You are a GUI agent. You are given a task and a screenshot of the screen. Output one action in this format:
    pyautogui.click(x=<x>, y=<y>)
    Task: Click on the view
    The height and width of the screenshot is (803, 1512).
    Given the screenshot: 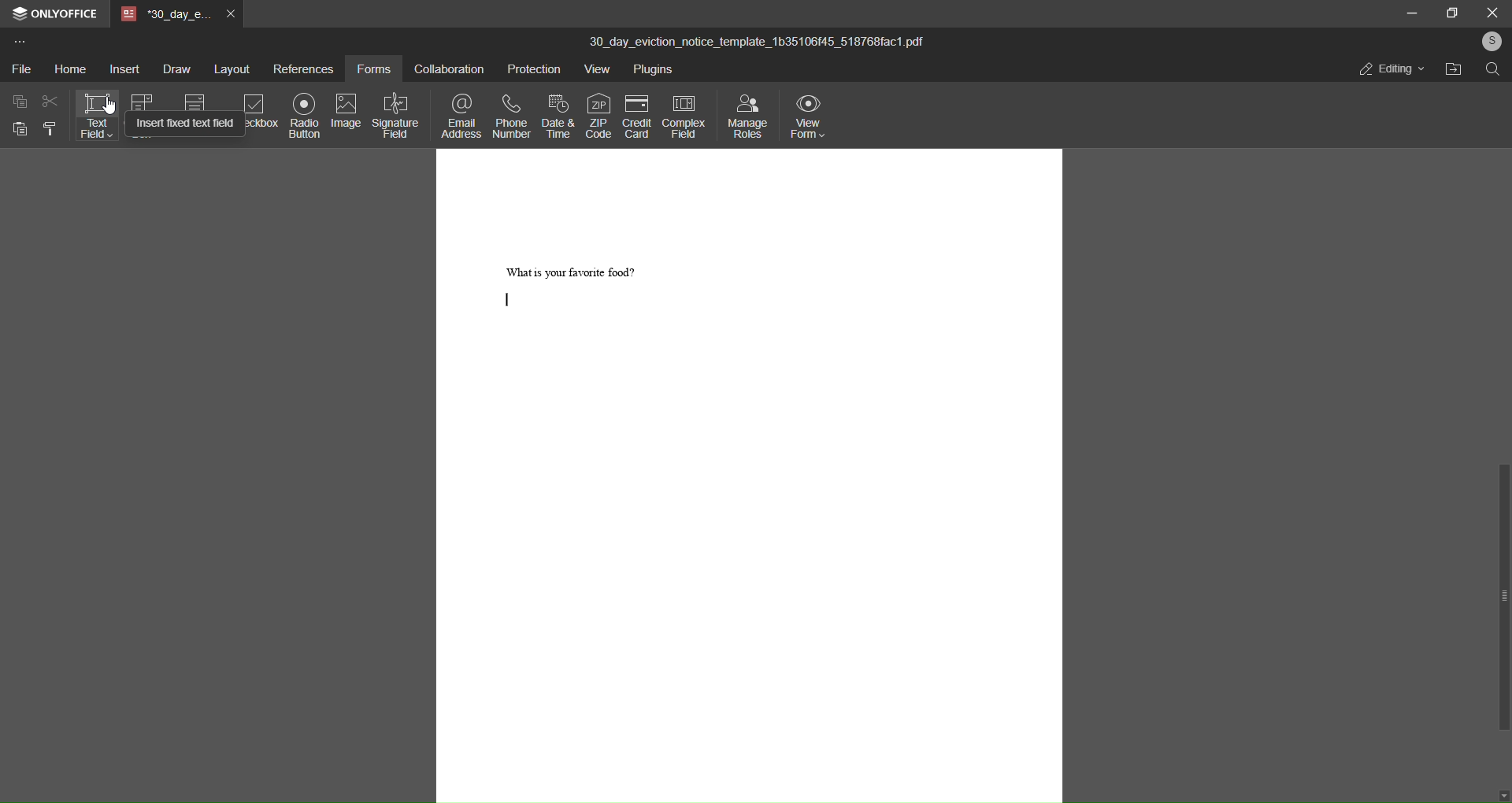 What is the action you would take?
    pyautogui.click(x=595, y=70)
    